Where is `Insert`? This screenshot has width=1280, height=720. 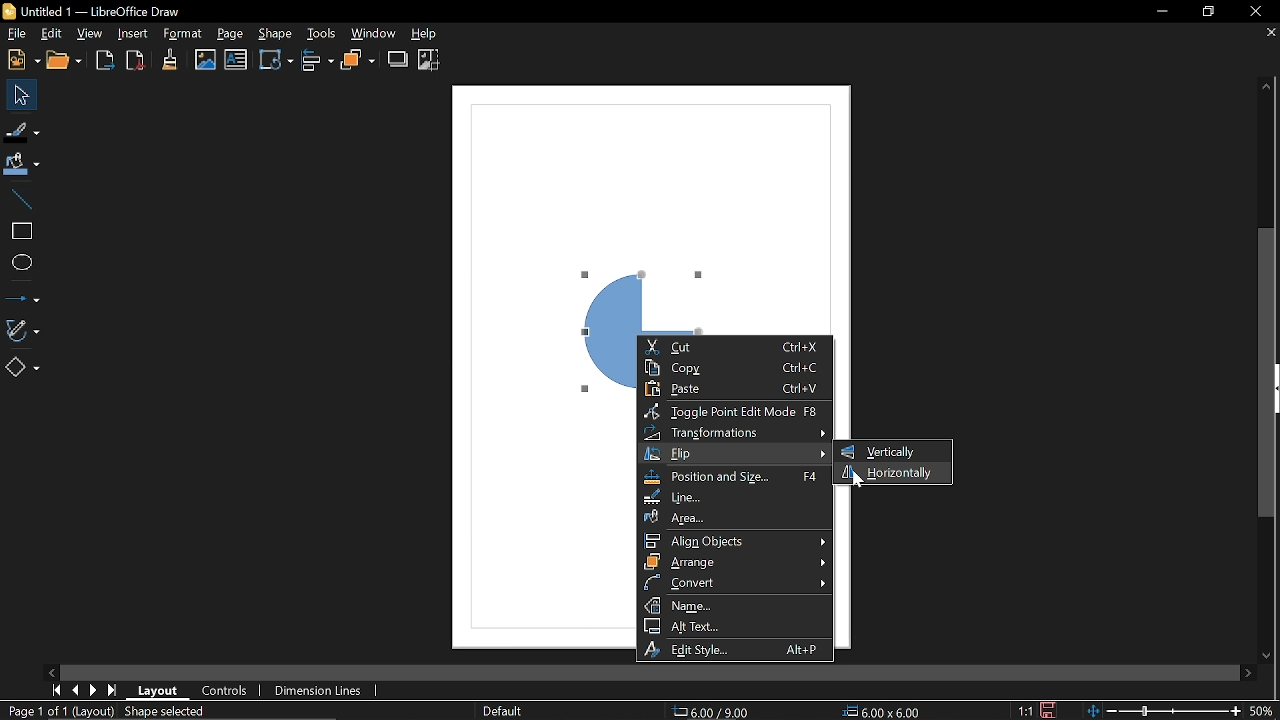
Insert is located at coordinates (130, 35).